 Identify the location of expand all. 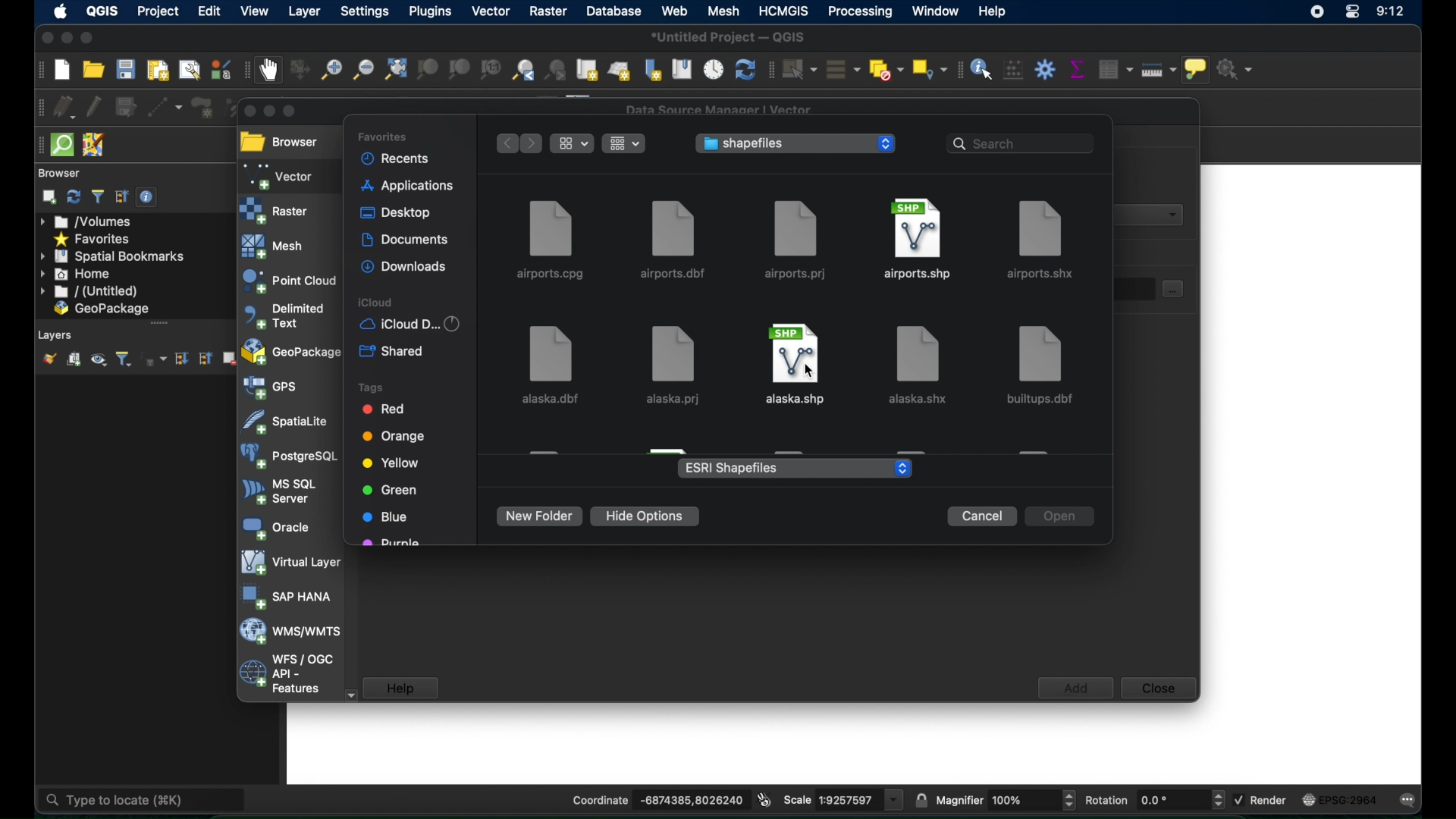
(180, 359).